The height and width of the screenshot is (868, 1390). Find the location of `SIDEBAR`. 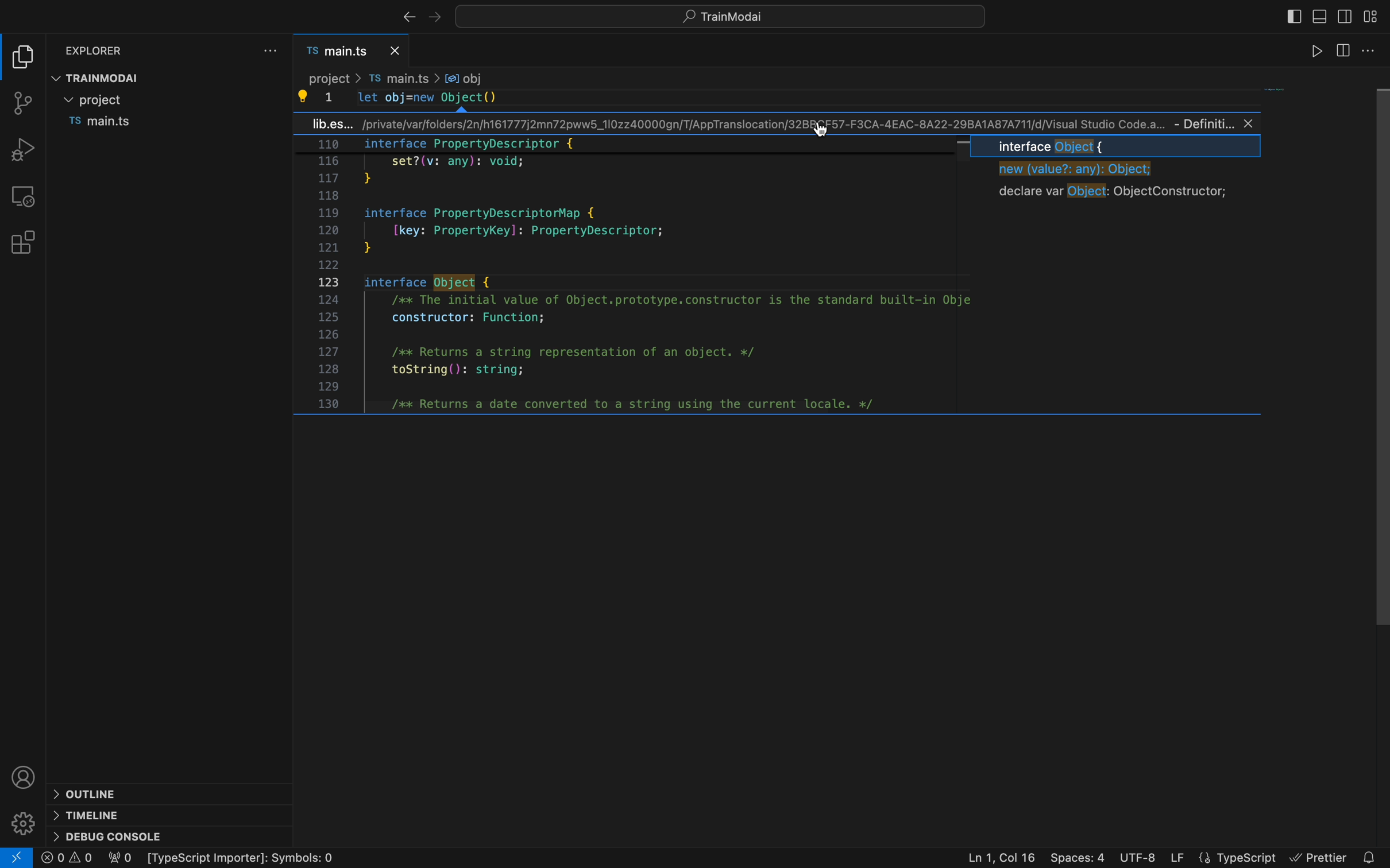

SIDEBAR is located at coordinates (1288, 18).